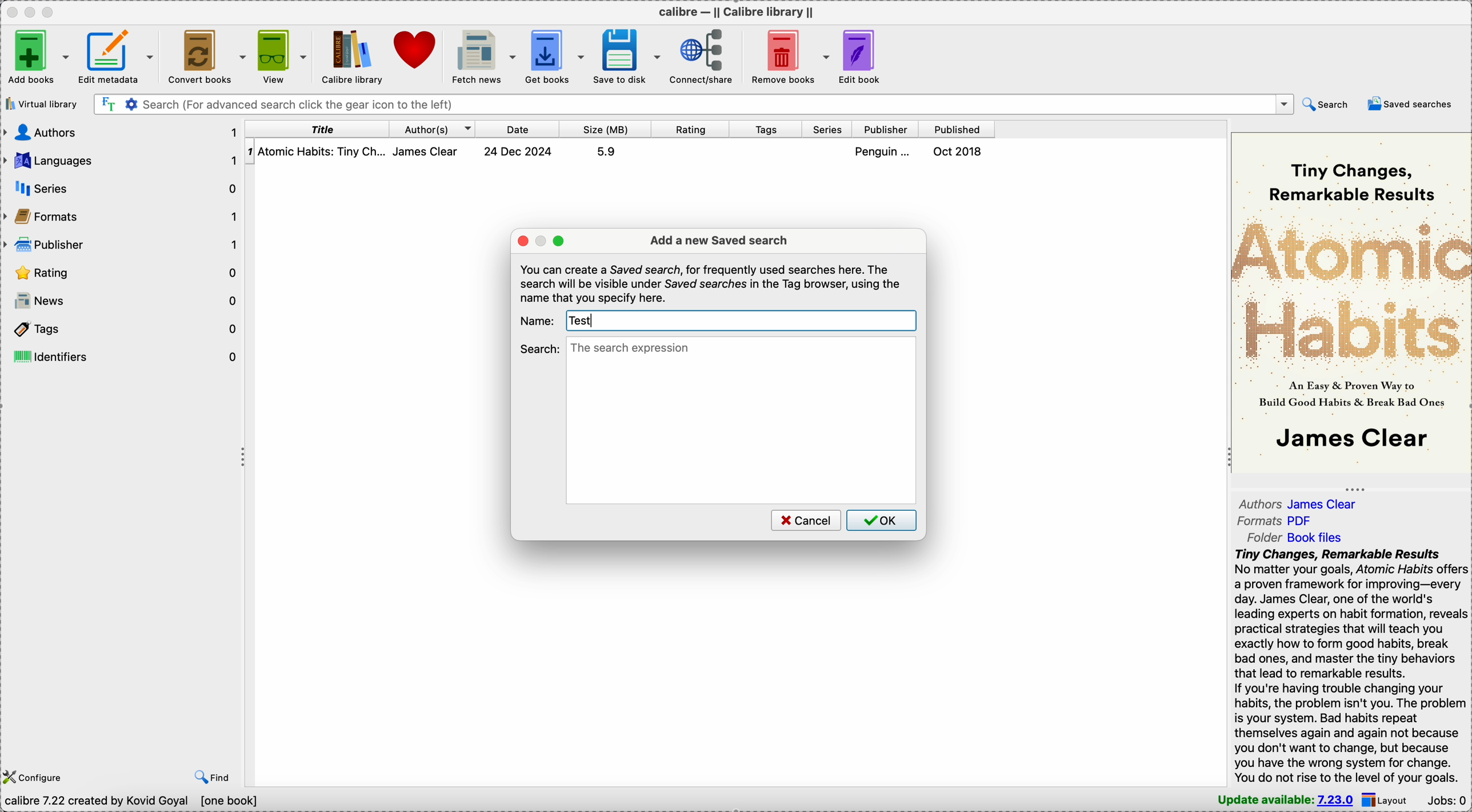  What do you see at coordinates (318, 129) in the screenshot?
I see `title` at bounding box center [318, 129].